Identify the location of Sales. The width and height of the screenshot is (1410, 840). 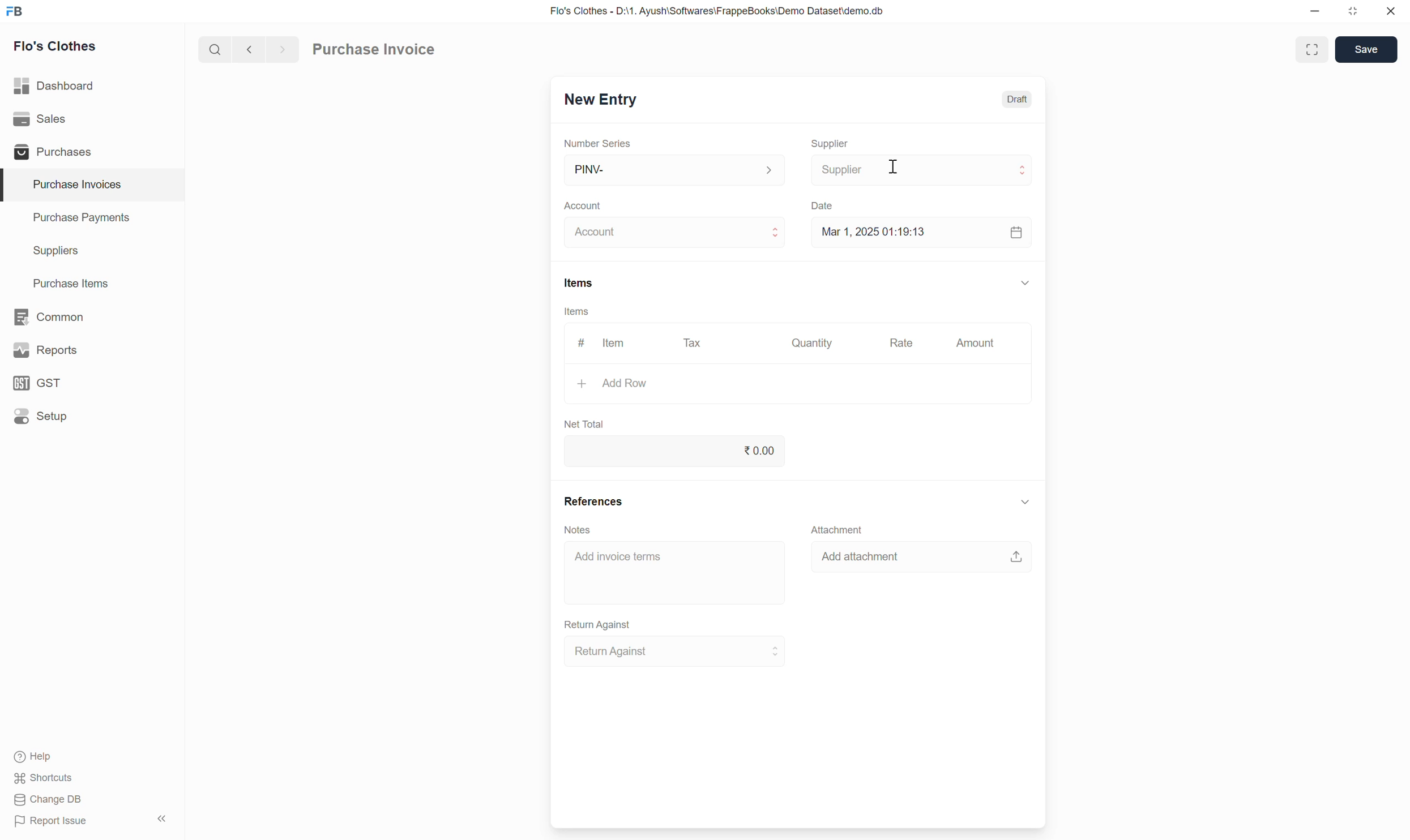
(42, 119).